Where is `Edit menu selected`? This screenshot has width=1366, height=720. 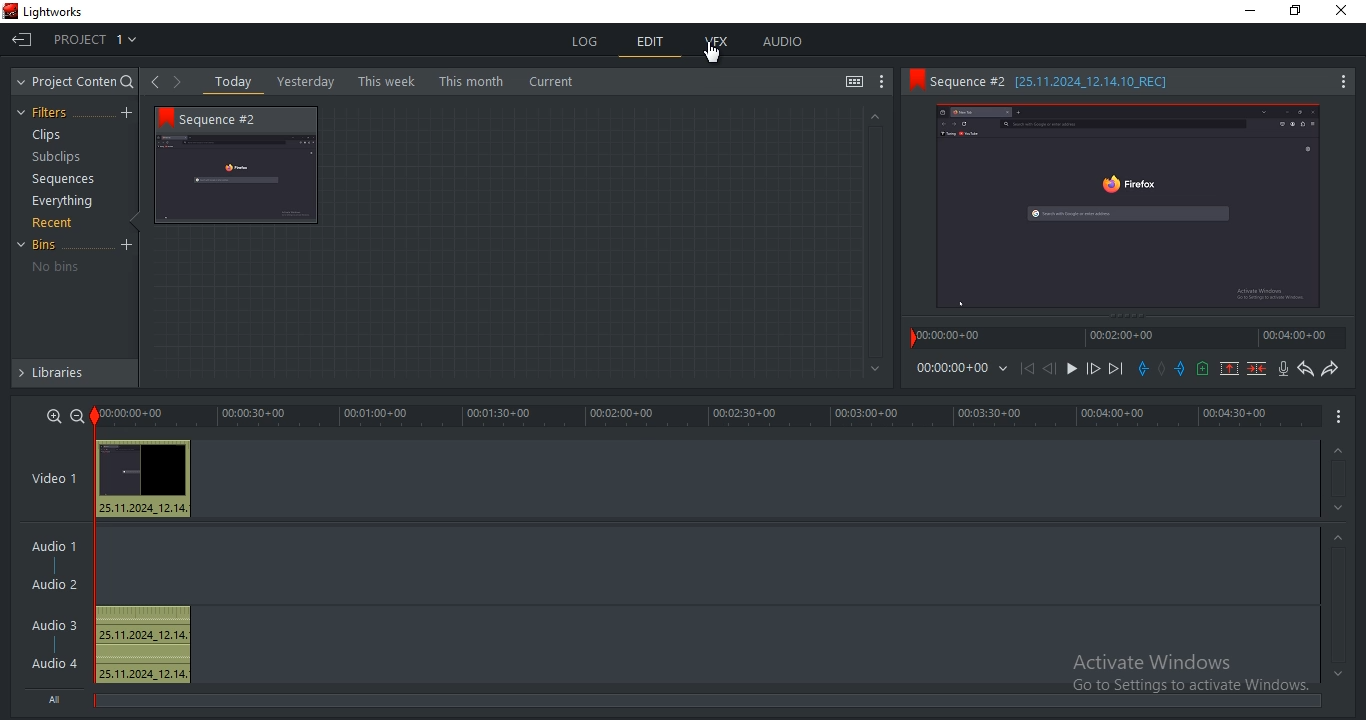
Edit menu selected is located at coordinates (653, 60).